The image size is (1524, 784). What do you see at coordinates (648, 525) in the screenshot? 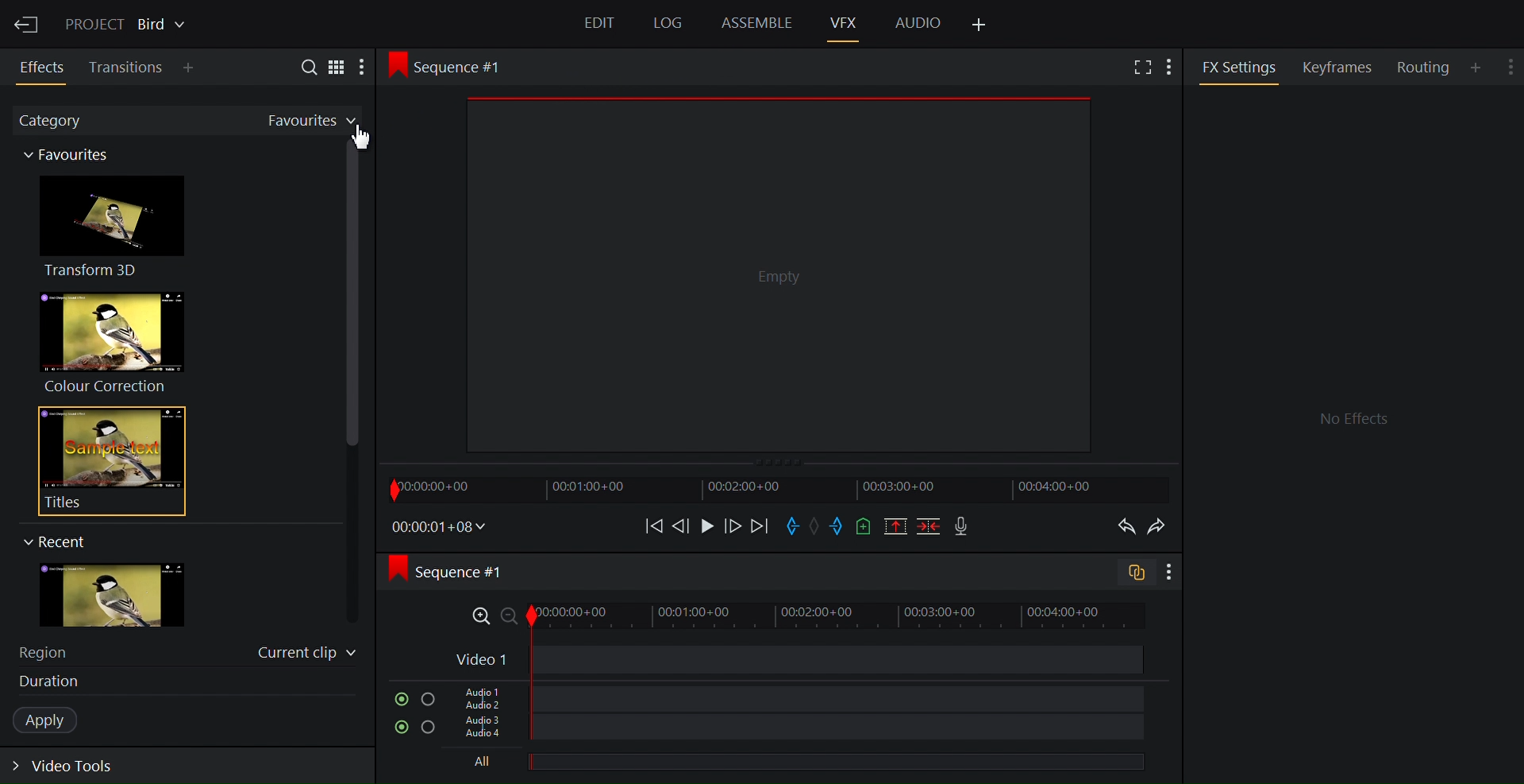
I see `Move backward` at bounding box center [648, 525].